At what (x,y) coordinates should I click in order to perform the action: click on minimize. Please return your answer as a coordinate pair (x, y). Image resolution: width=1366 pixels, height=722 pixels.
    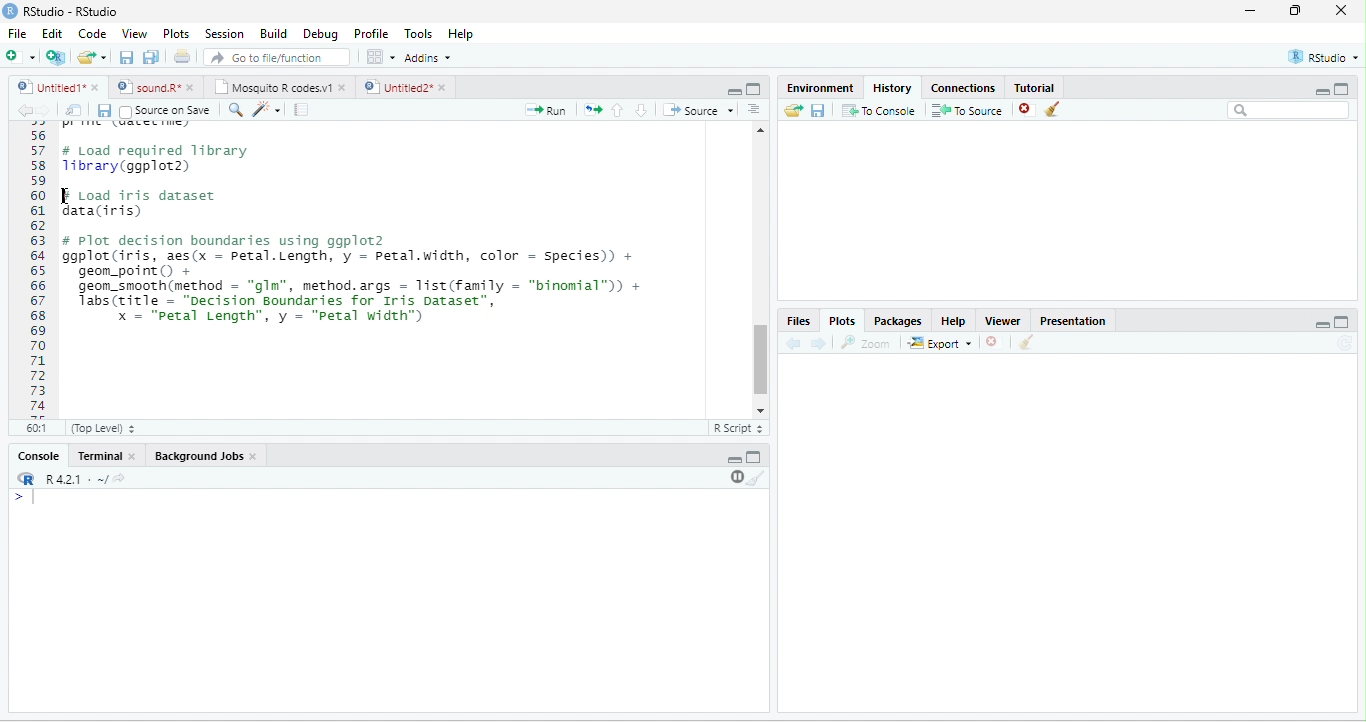
    Looking at the image, I should click on (1251, 10).